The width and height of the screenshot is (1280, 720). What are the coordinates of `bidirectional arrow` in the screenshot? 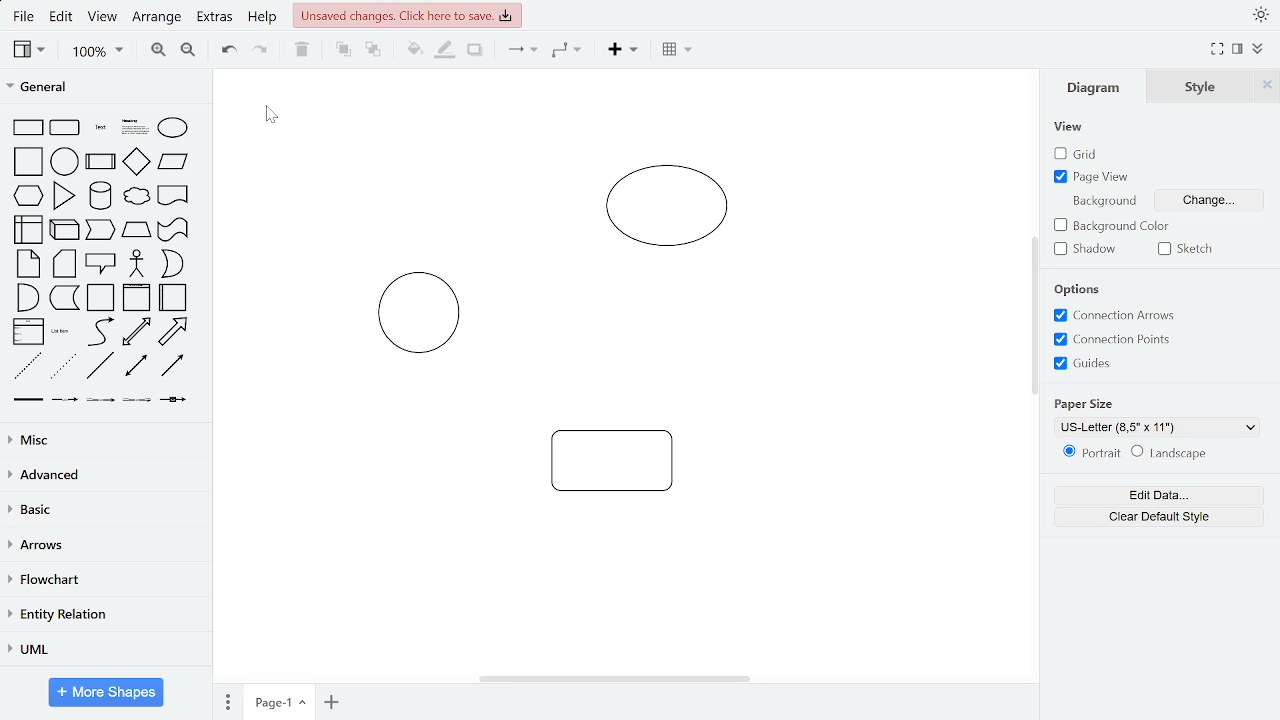 It's located at (137, 332).